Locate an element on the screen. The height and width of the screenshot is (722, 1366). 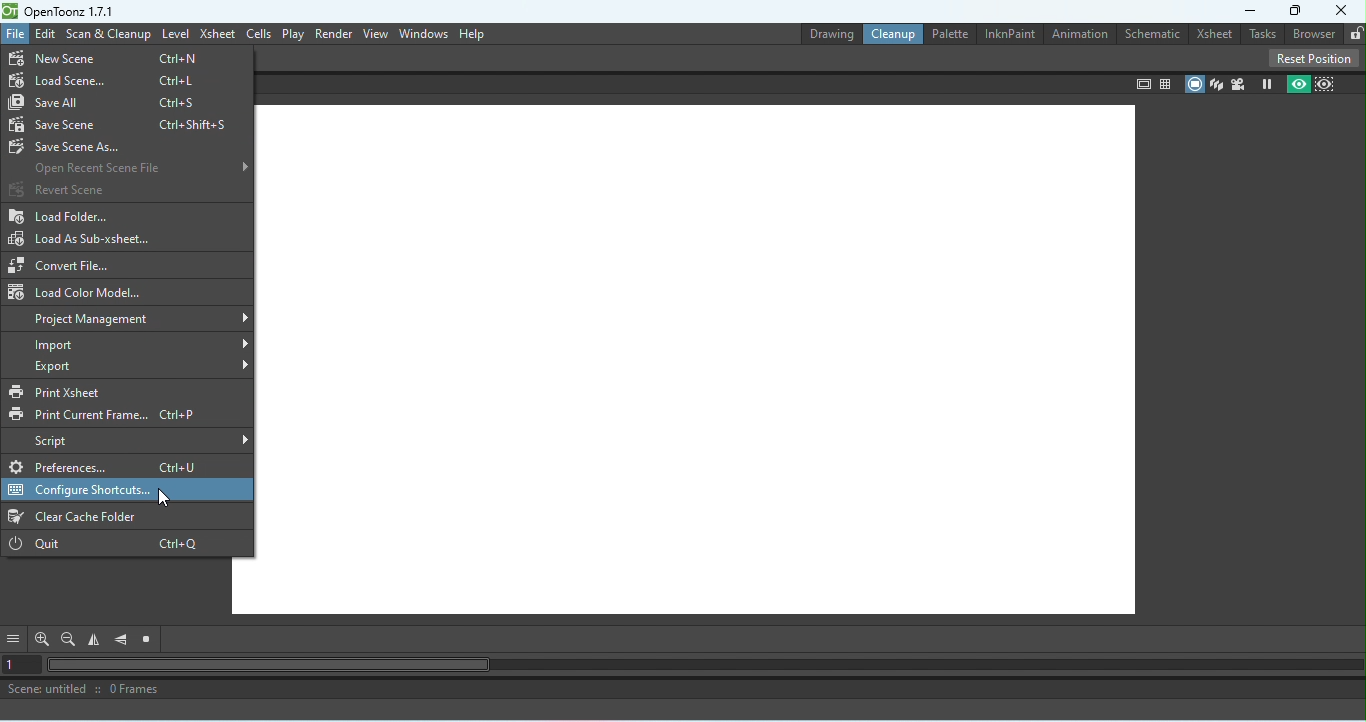
Preview is located at coordinates (1296, 85).